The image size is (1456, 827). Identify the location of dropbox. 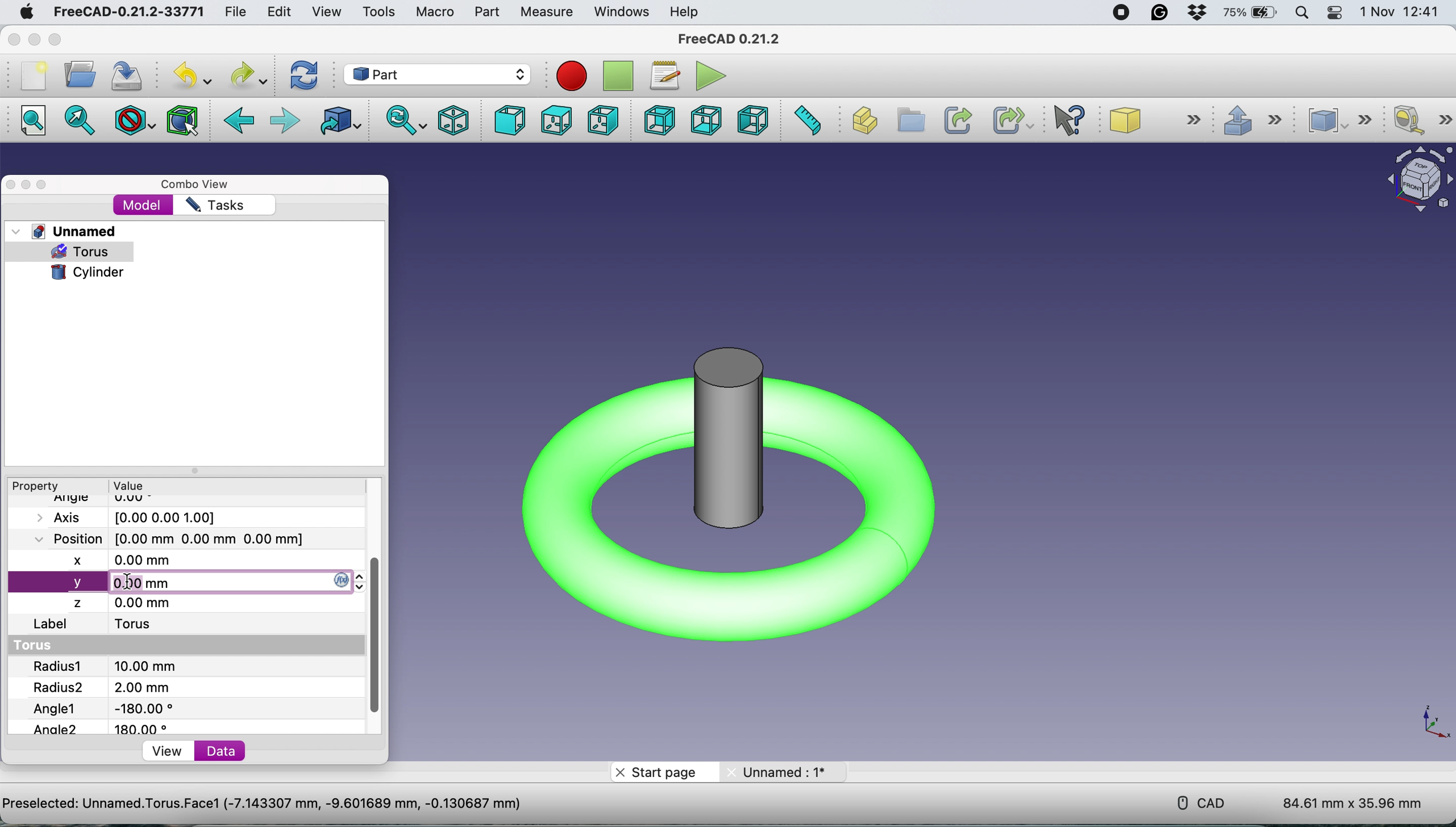
(1196, 13).